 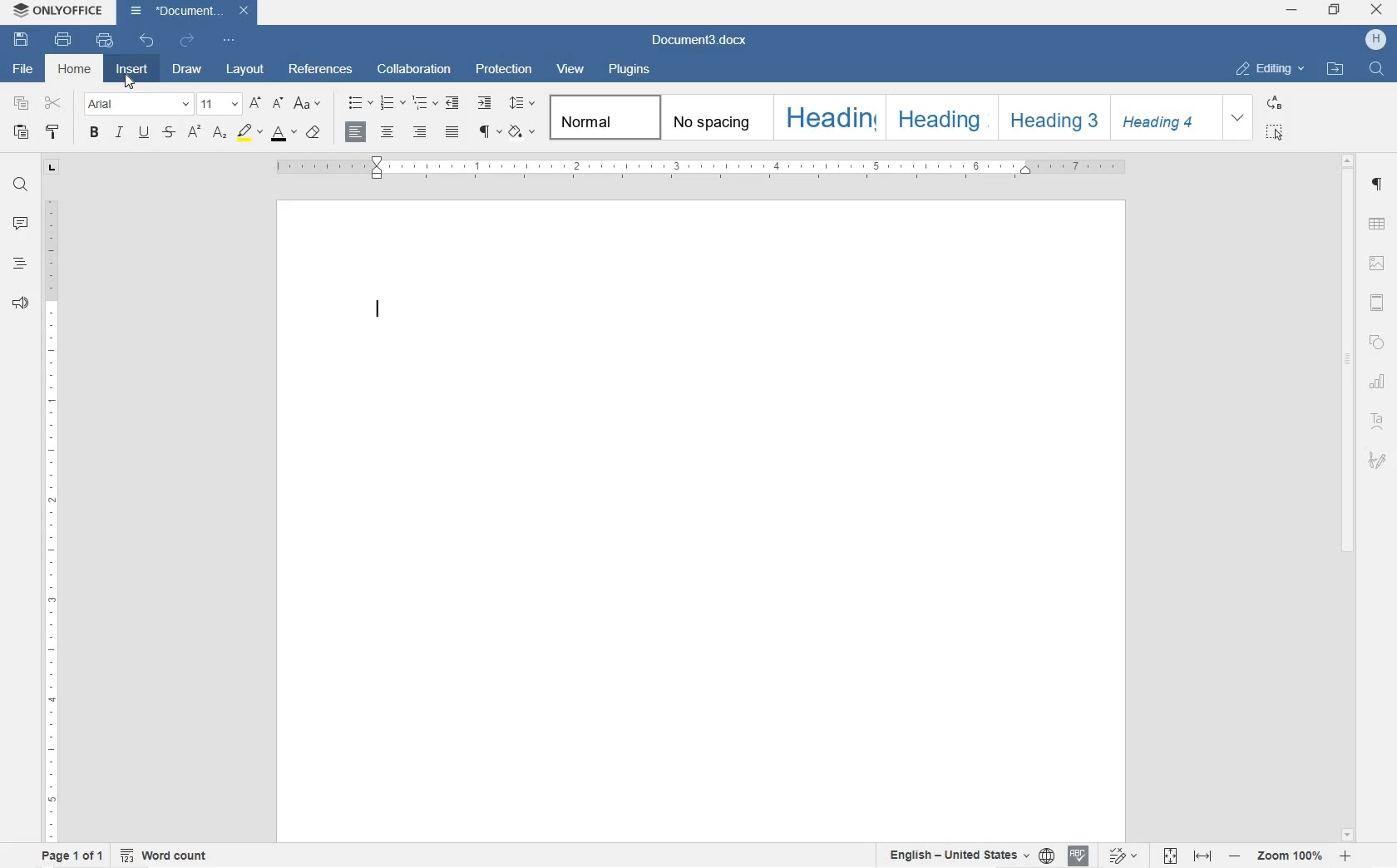 I want to click on CHART, so click(x=1379, y=384).